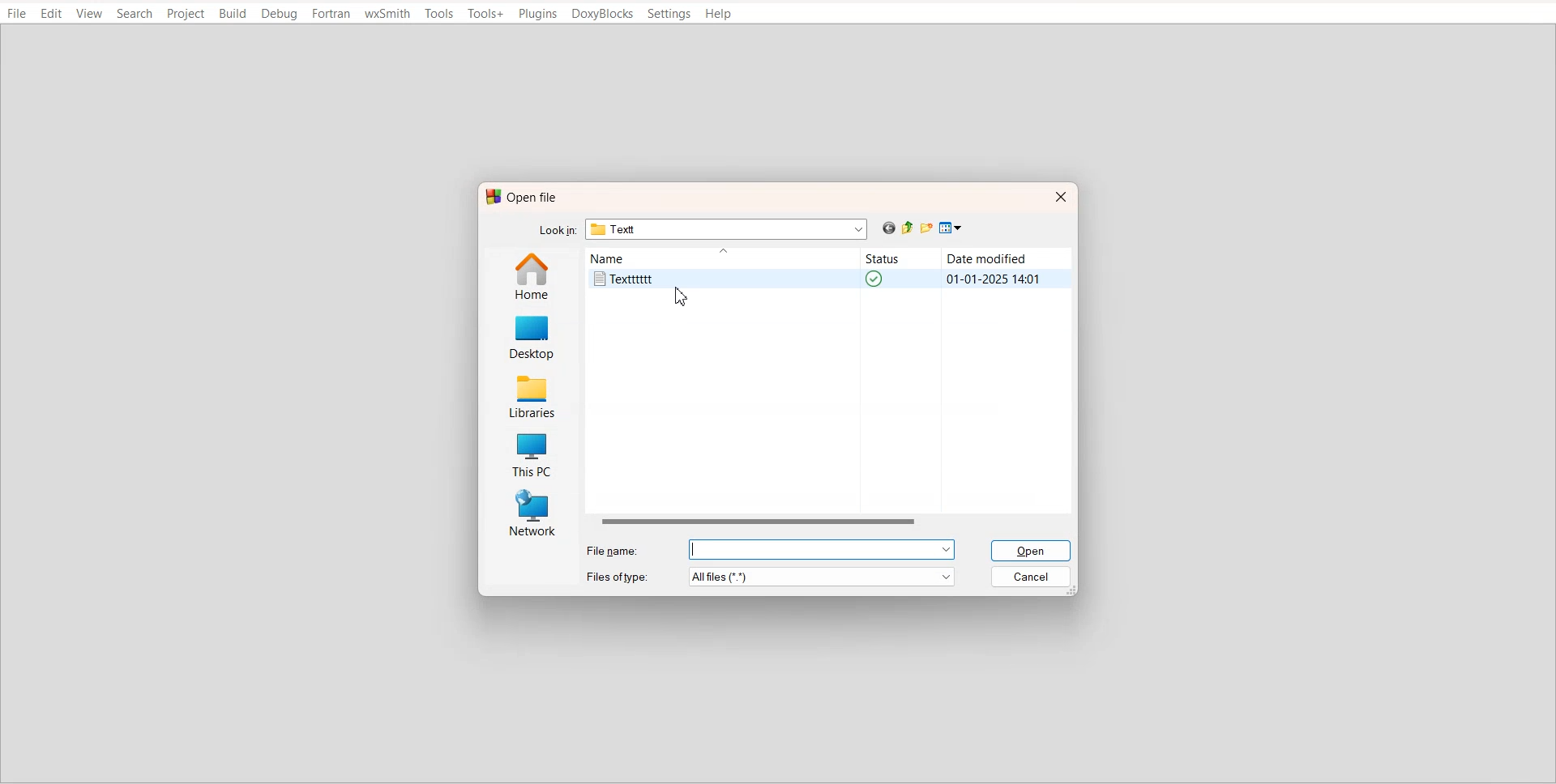 This screenshot has height=784, width=1556. Describe the element at coordinates (895, 258) in the screenshot. I see `Status` at that location.